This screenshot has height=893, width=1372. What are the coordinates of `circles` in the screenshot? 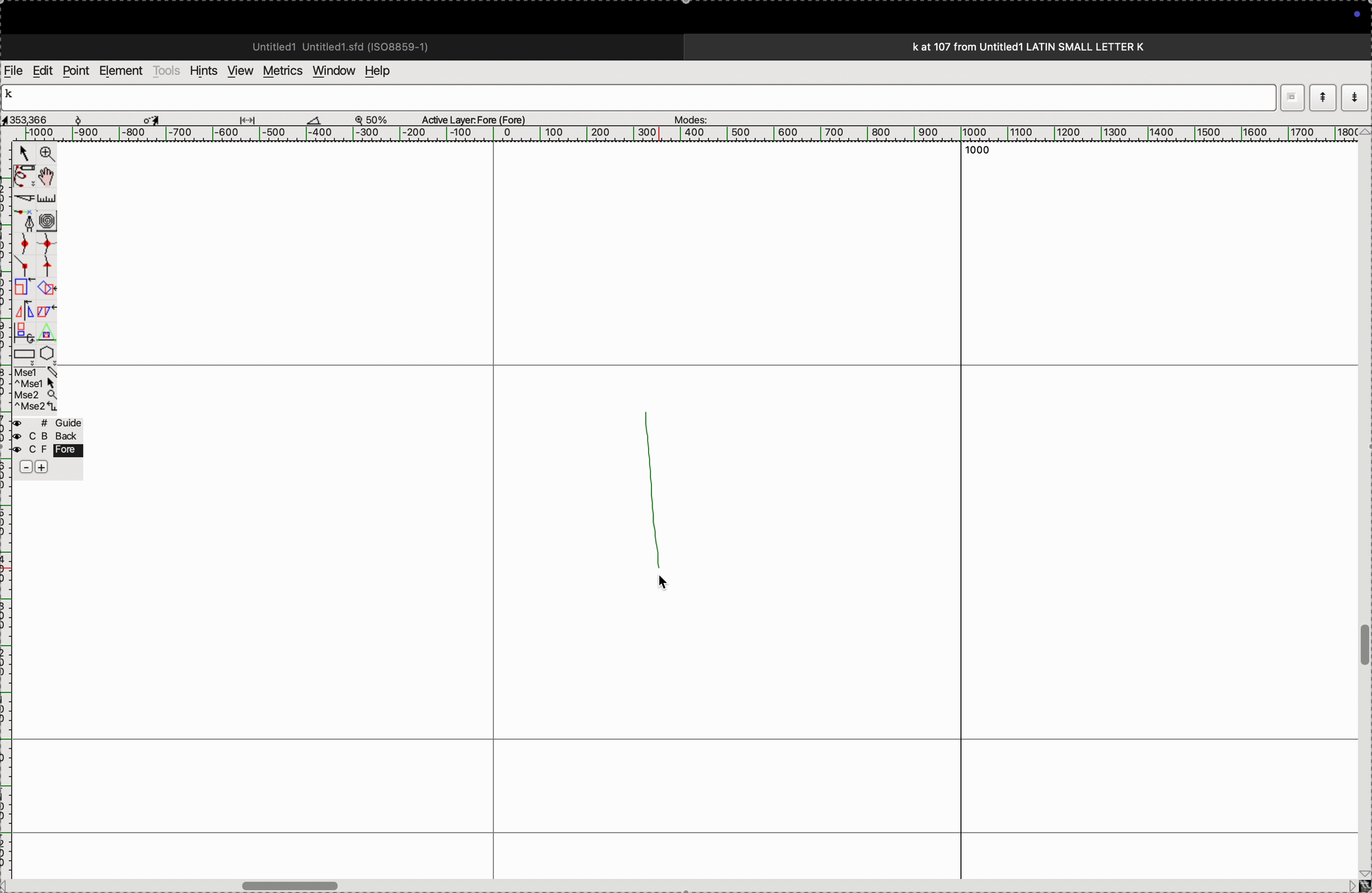 It's located at (51, 220).